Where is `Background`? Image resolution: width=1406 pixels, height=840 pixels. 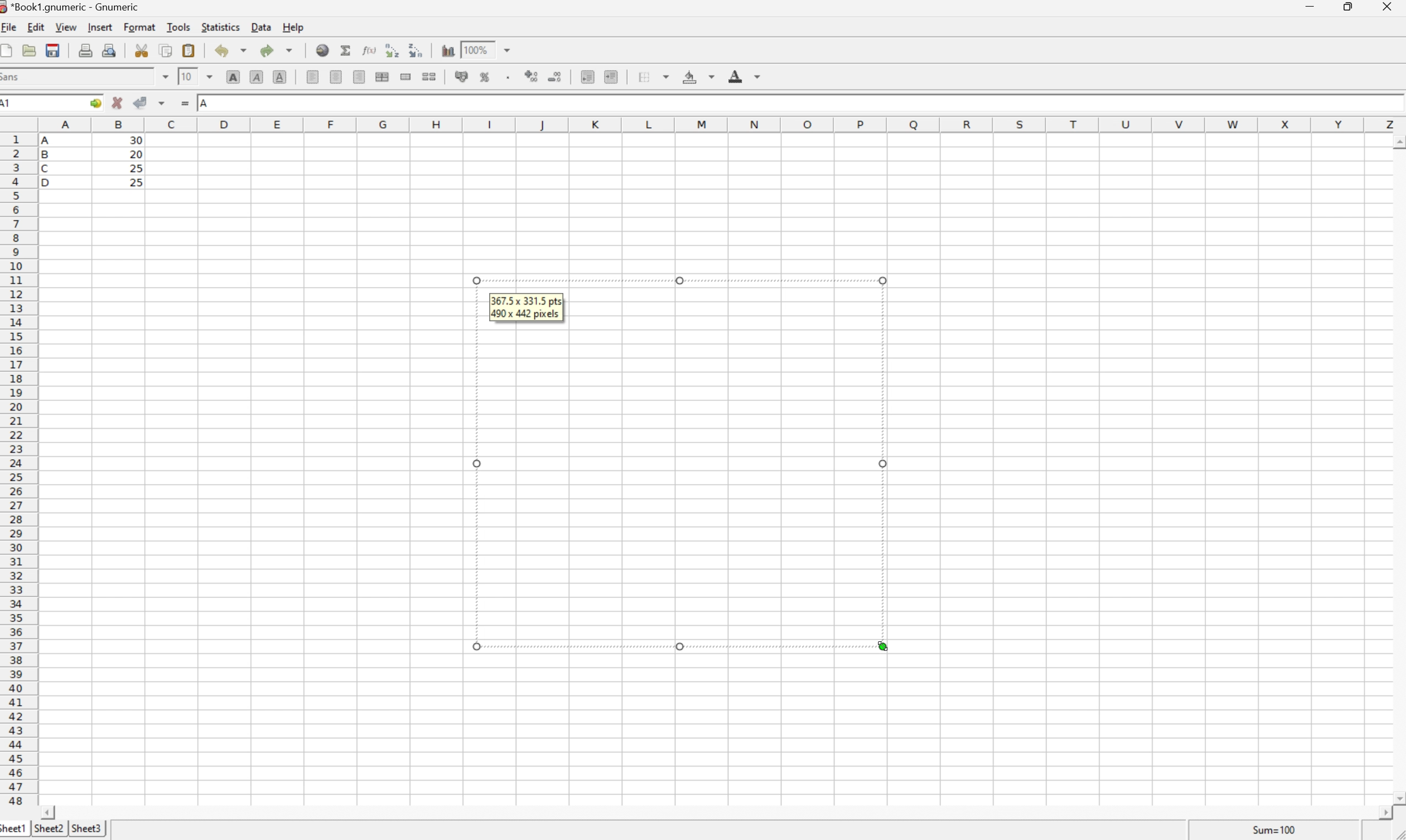
Background is located at coordinates (698, 78).